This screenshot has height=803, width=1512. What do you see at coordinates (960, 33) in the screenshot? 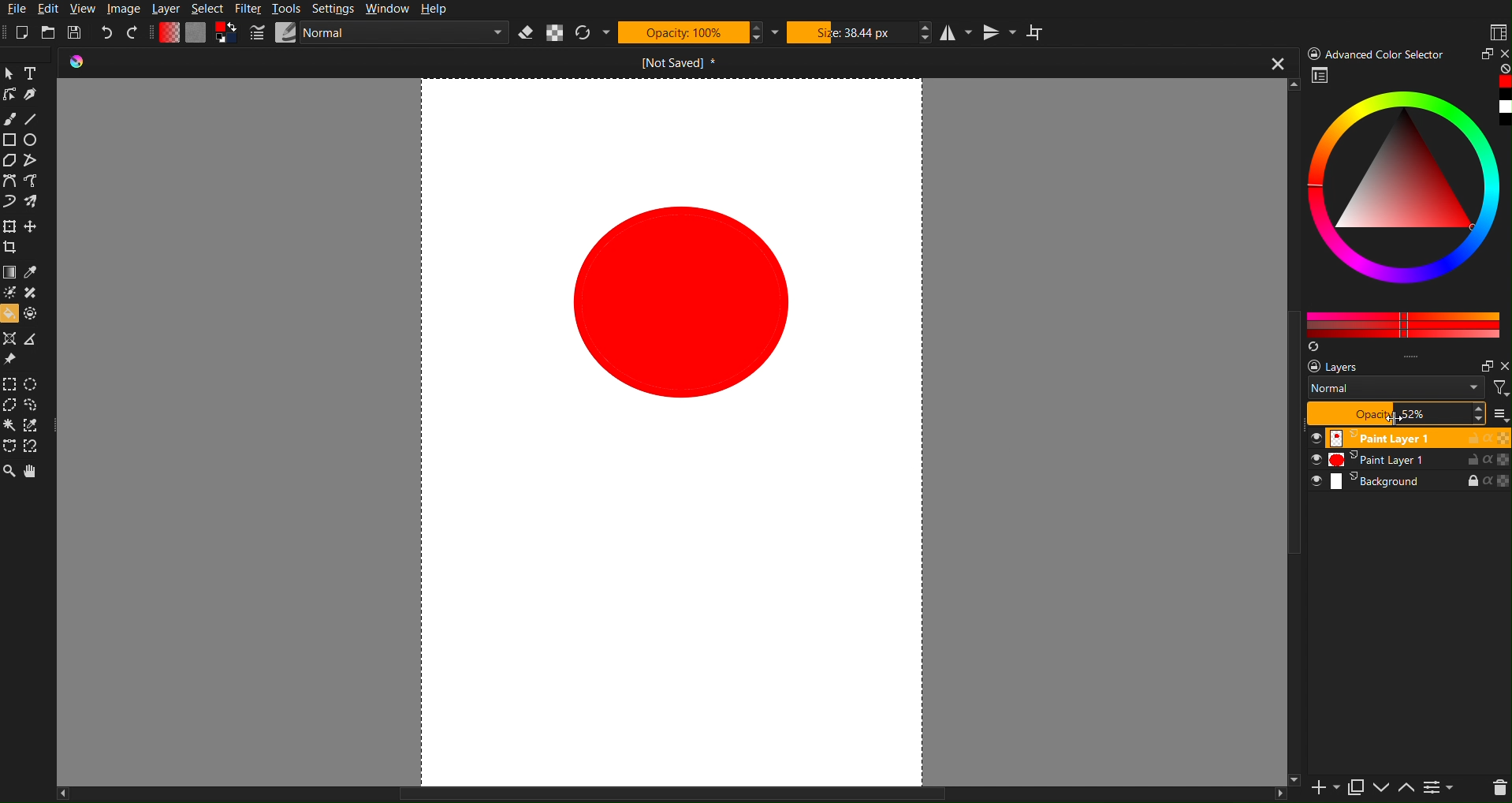
I see `Horizontal Mirror` at bounding box center [960, 33].